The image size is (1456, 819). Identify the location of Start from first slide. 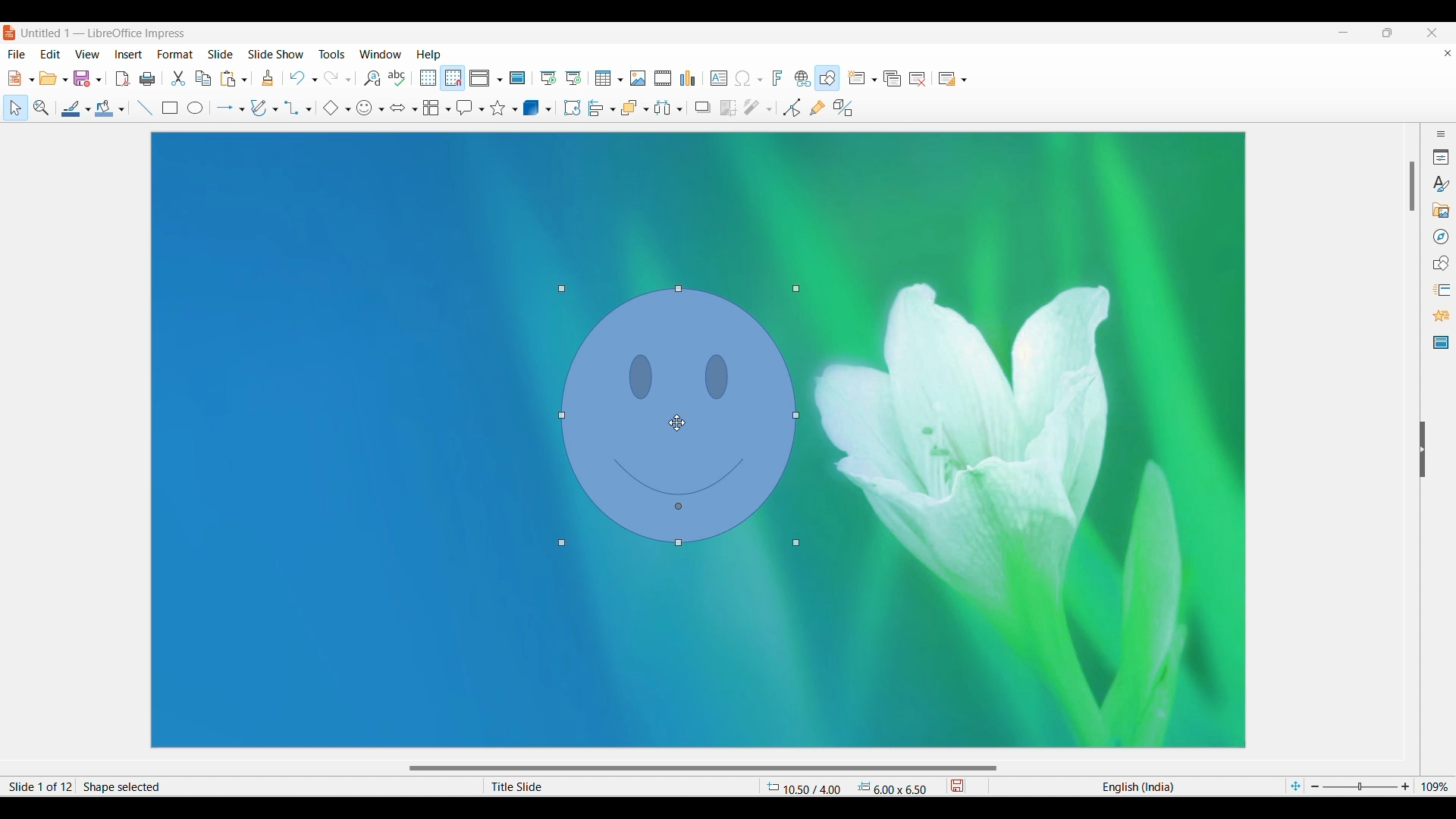
(548, 78).